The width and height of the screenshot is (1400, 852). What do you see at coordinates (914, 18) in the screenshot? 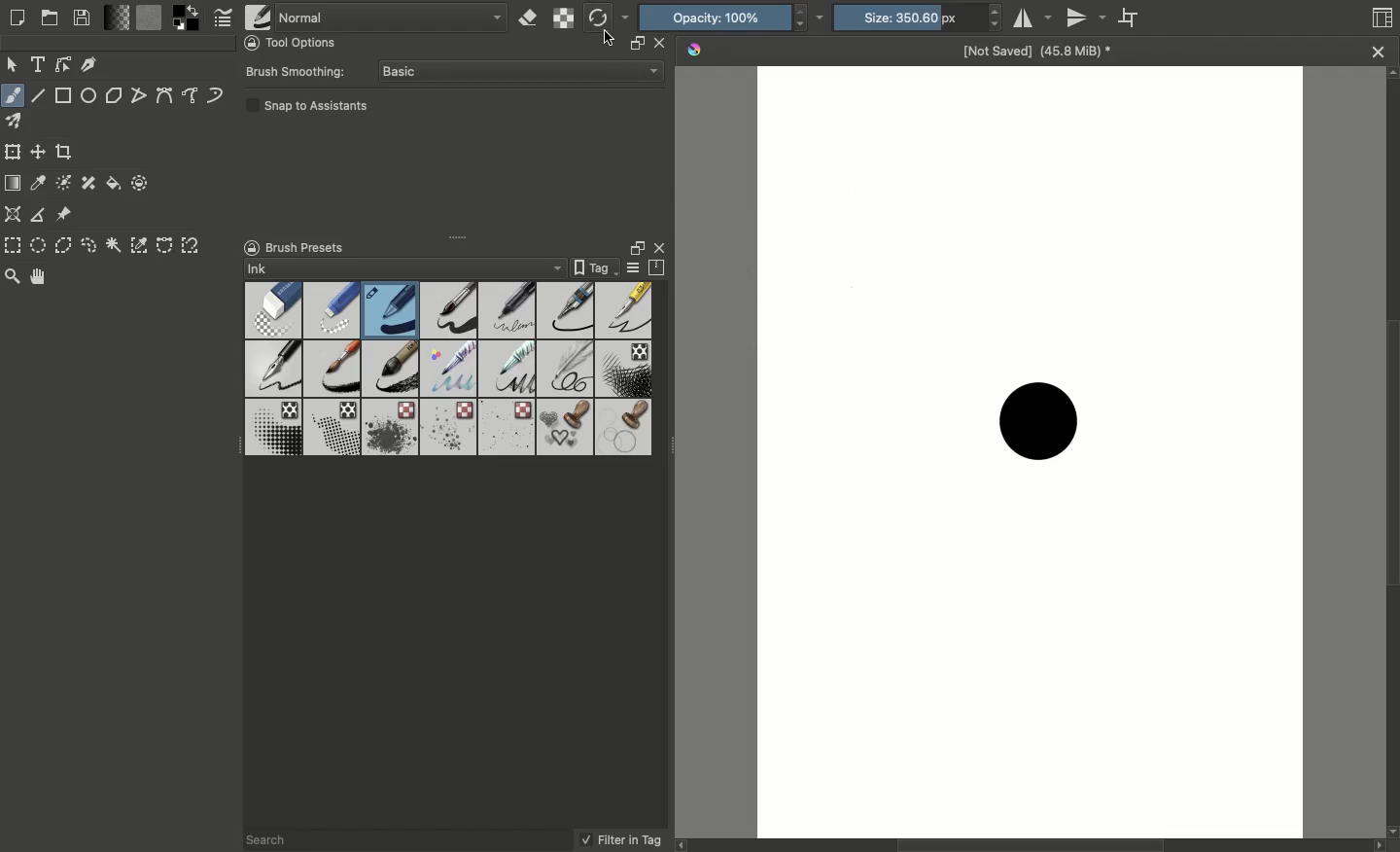
I see `Size` at bounding box center [914, 18].